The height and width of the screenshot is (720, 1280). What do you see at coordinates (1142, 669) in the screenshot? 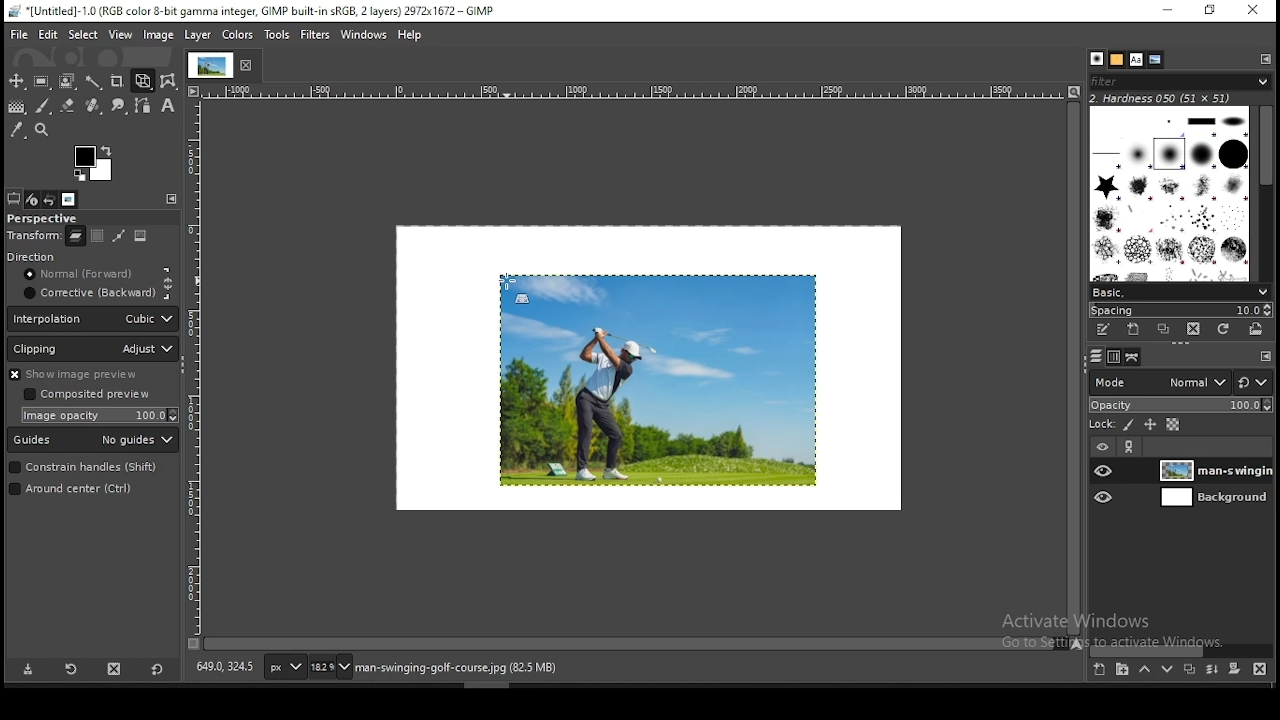
I see `move layer on step up` at bounding box center [1142, 669].